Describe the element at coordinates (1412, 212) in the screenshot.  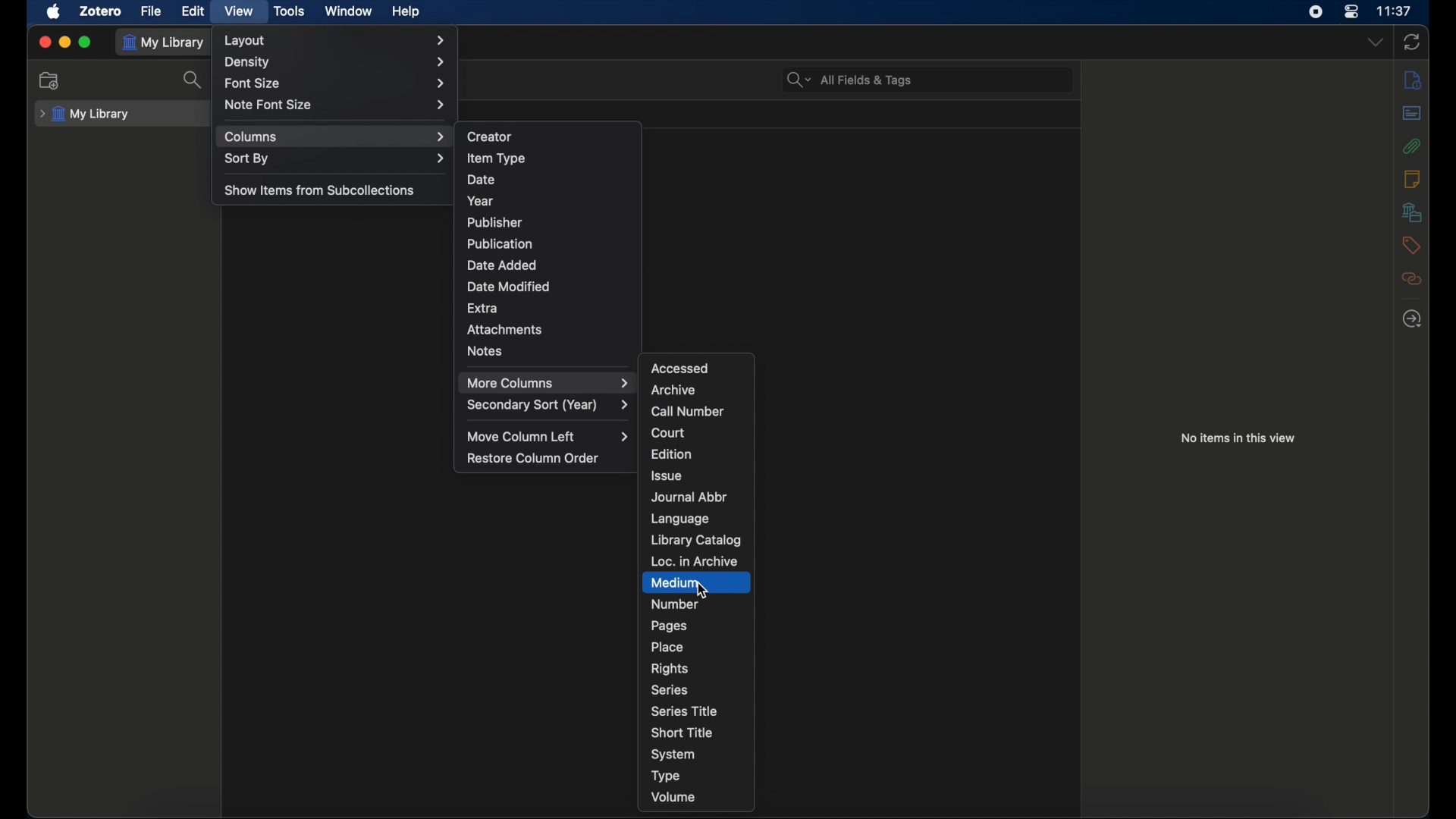
I see `libraries` at that location.